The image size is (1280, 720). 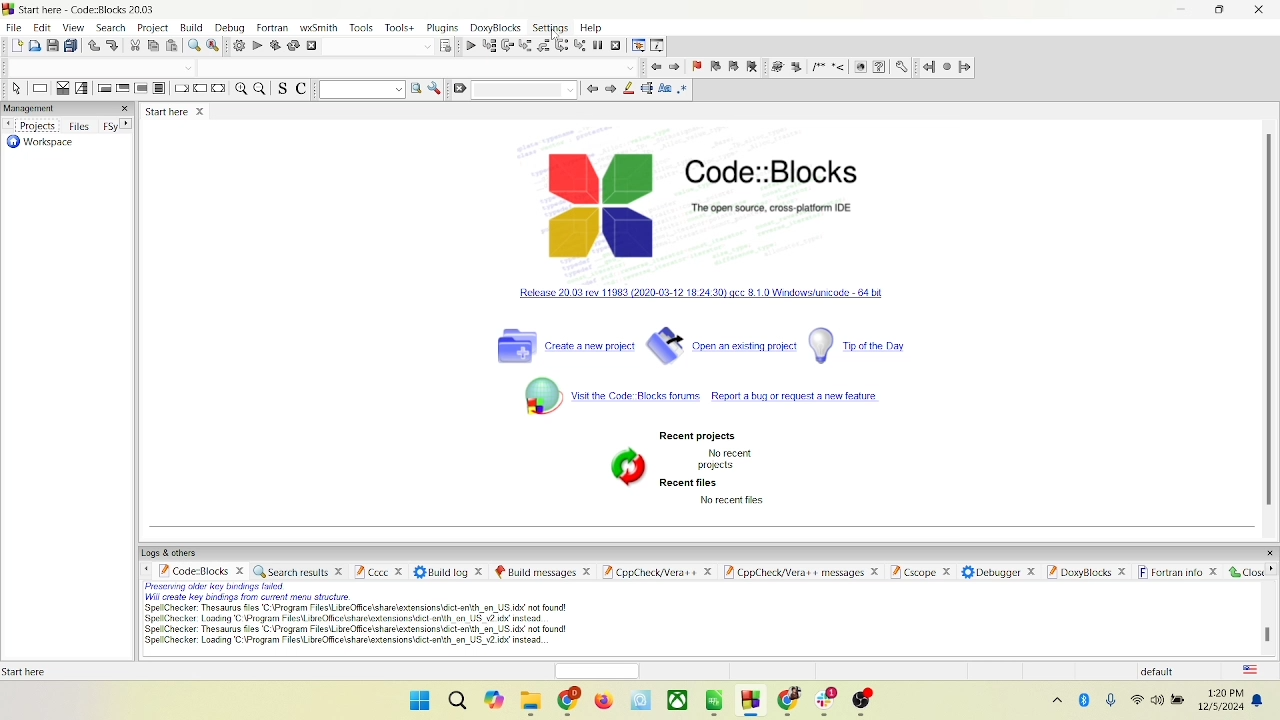 What do you see at coordinates (171, 551) in the screenshot?
I see `logs and others` at bounding box center [171, 551].